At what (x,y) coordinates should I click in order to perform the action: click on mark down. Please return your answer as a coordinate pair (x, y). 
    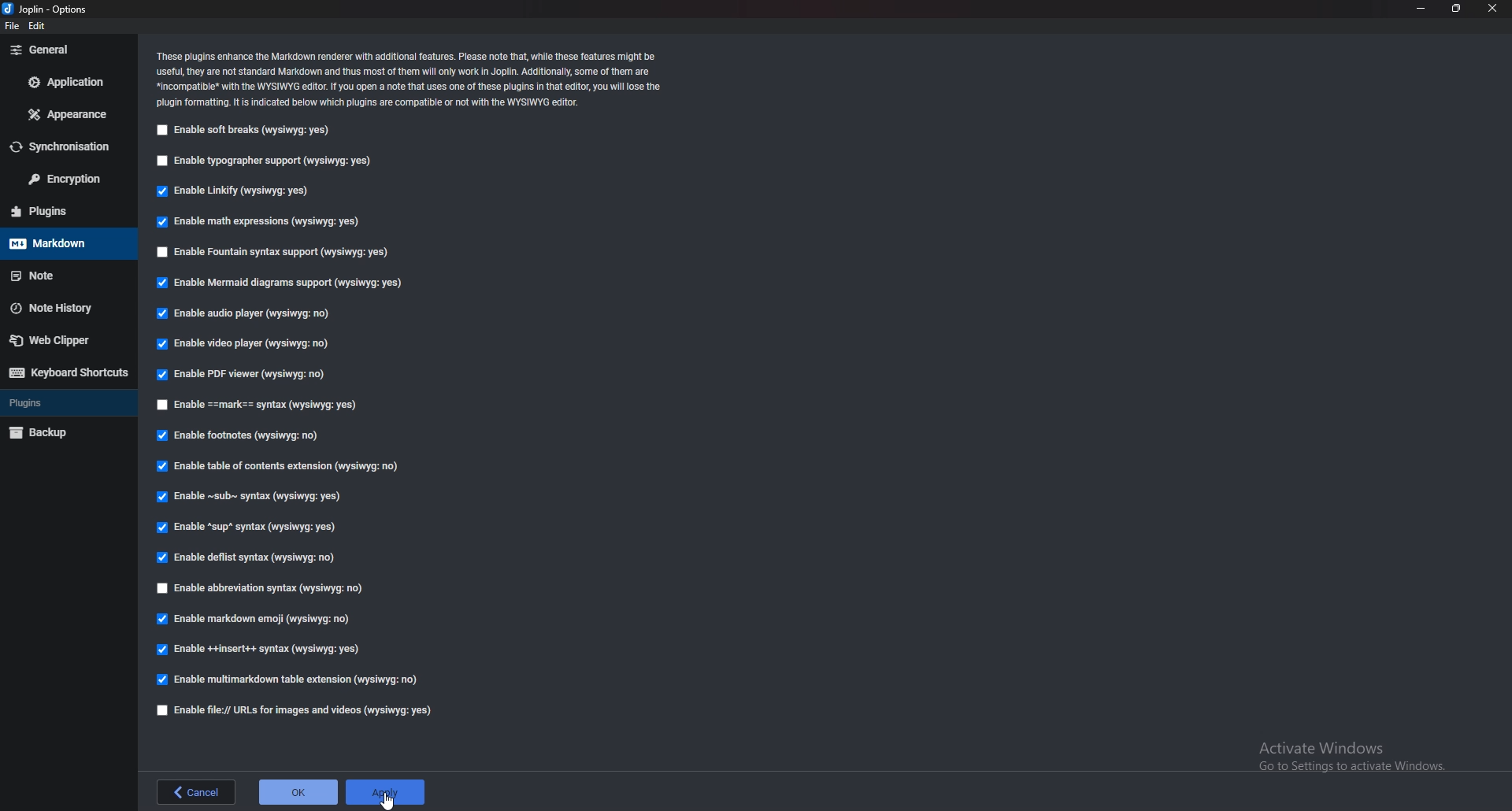
    Looking at the image, I should click on (61, 243).